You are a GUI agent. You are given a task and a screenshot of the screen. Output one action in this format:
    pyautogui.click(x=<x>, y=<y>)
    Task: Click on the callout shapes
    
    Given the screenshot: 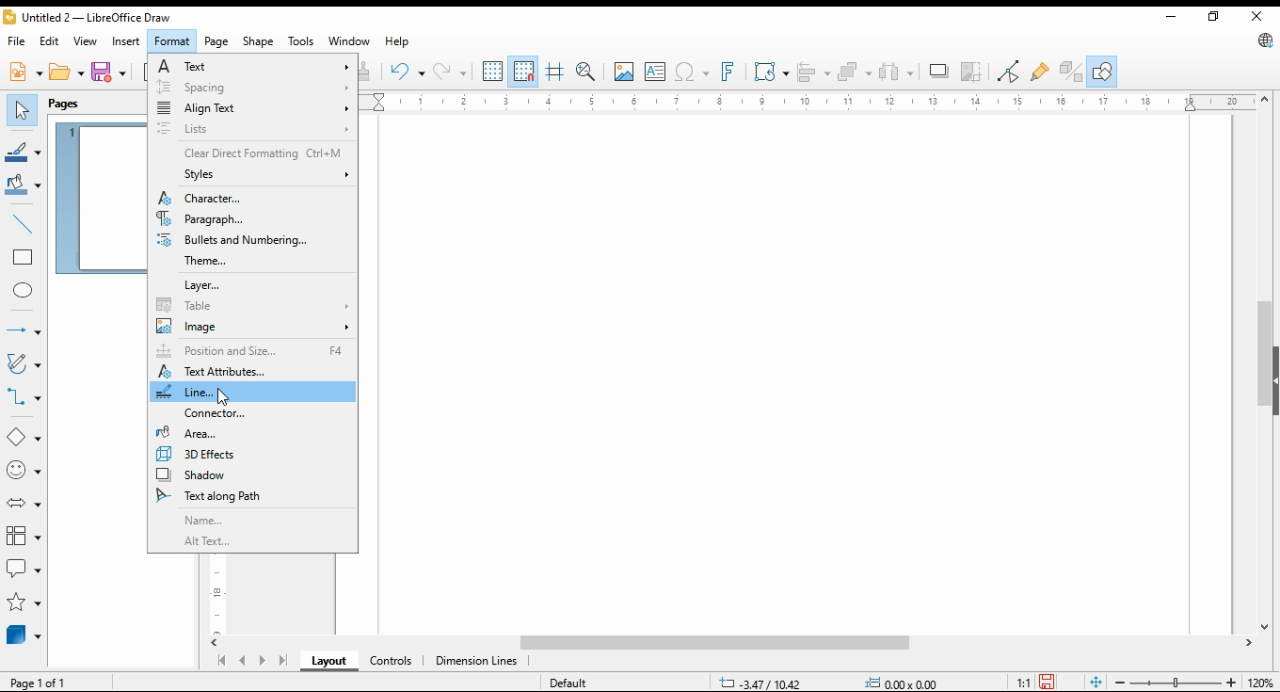 What is the action you would take?
    pyautogui.click(x=24, y=566)
    